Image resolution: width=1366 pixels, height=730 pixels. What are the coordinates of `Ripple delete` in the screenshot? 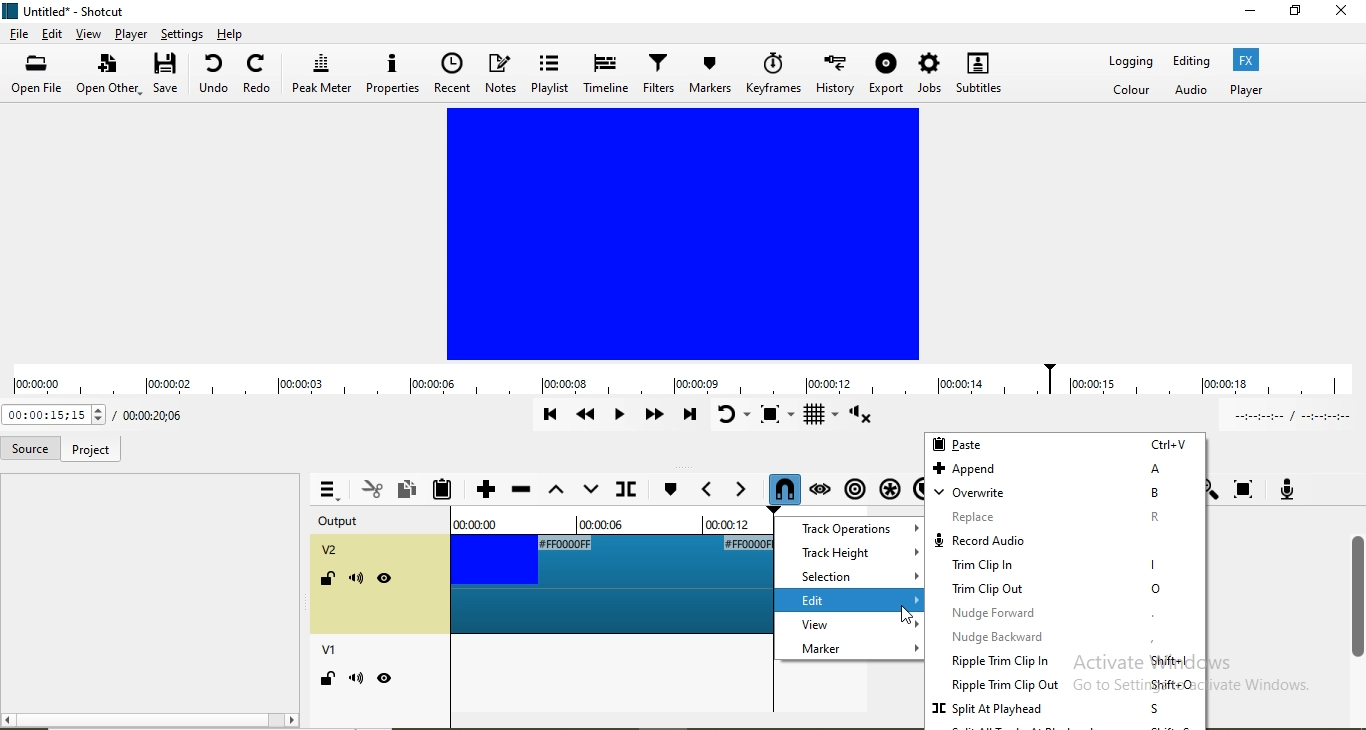 It's located at (522, 493).